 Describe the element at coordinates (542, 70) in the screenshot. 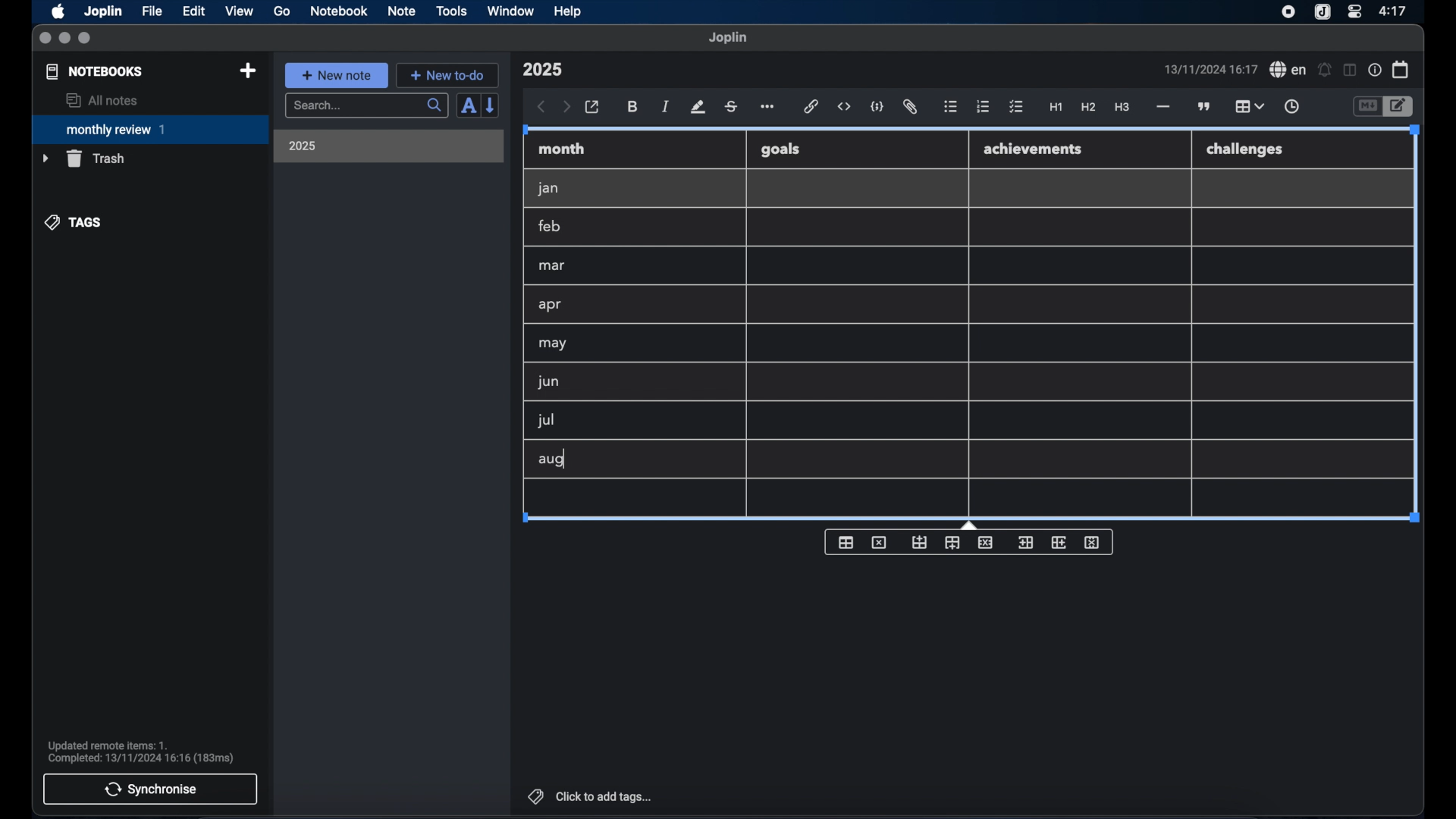

I see `note title` at that location.